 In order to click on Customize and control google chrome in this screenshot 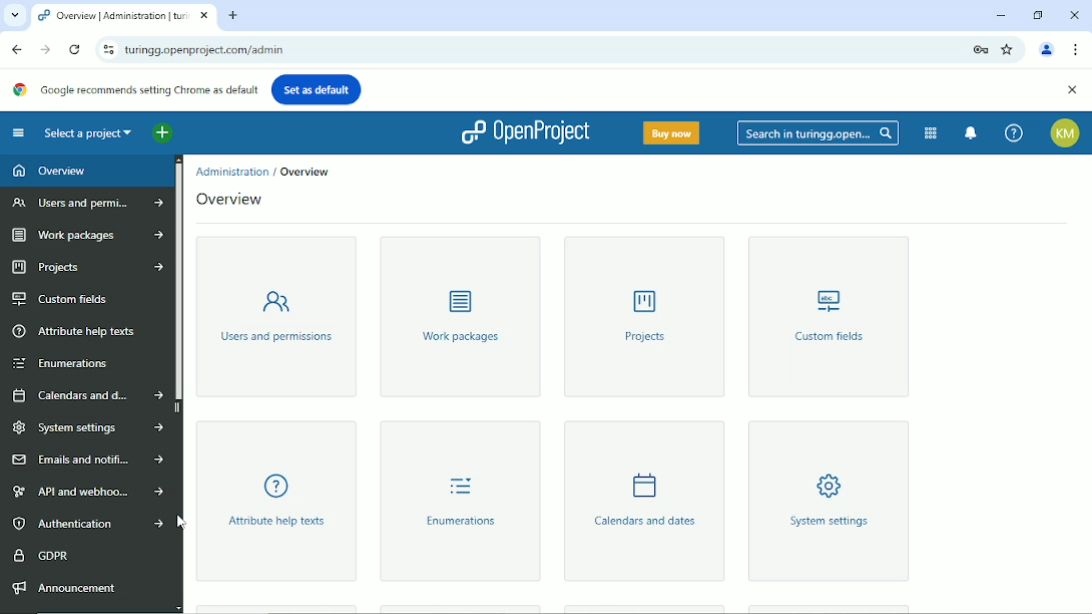, I will do `click(1076, 50)`.